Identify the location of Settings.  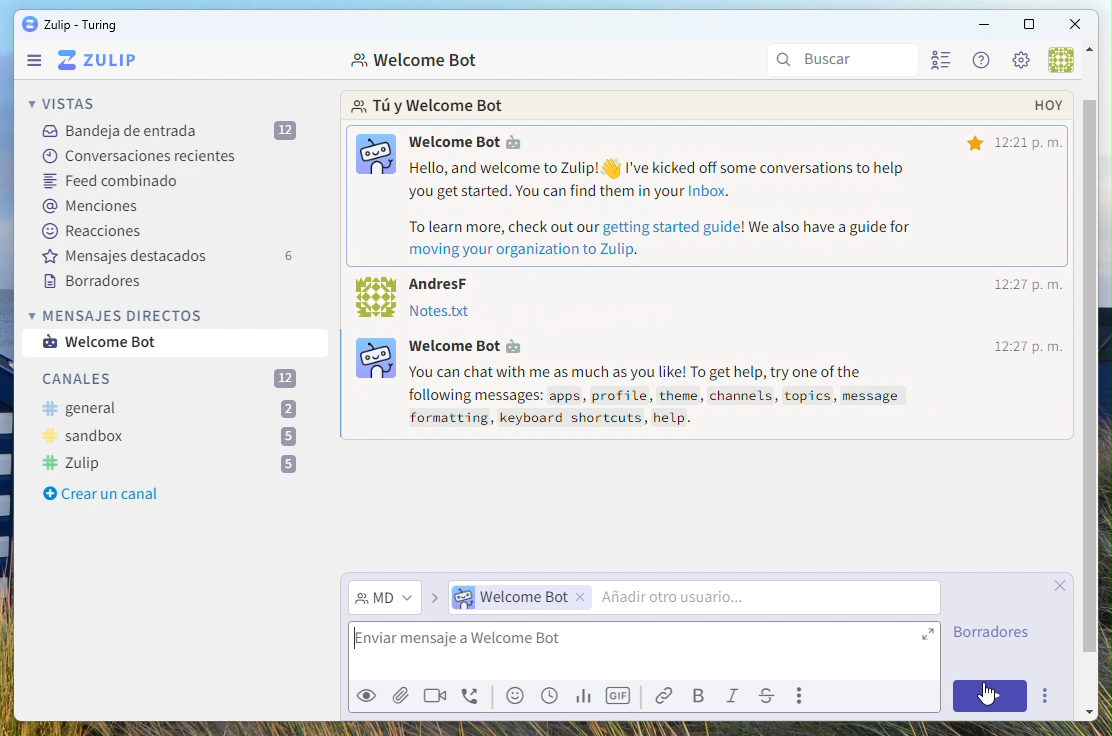
(1020, 62).